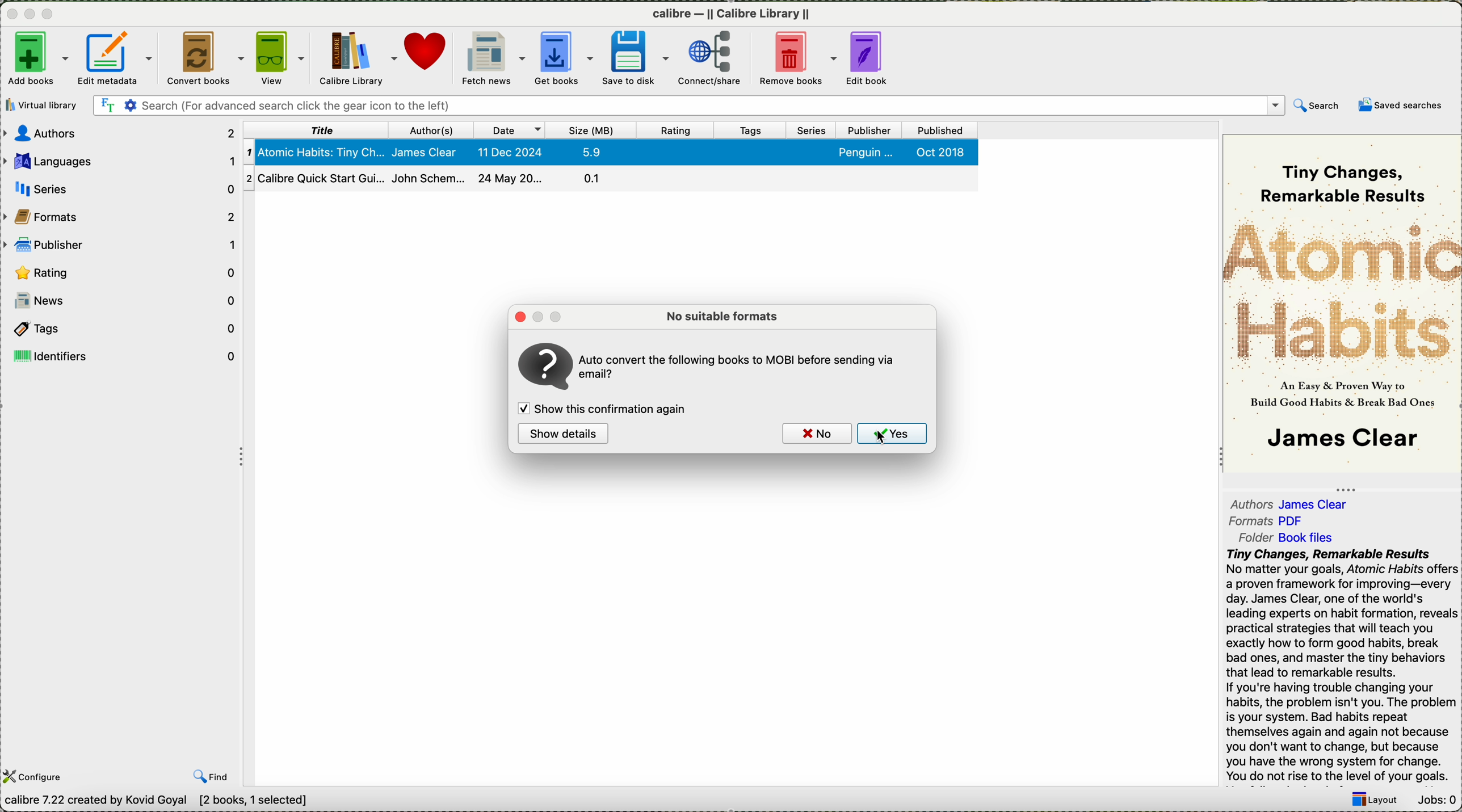 The width and height of the screenshot is (1462, 812). Describe the element at coordinates (1376, 800) in the screenshot. I see `layout` at that location.